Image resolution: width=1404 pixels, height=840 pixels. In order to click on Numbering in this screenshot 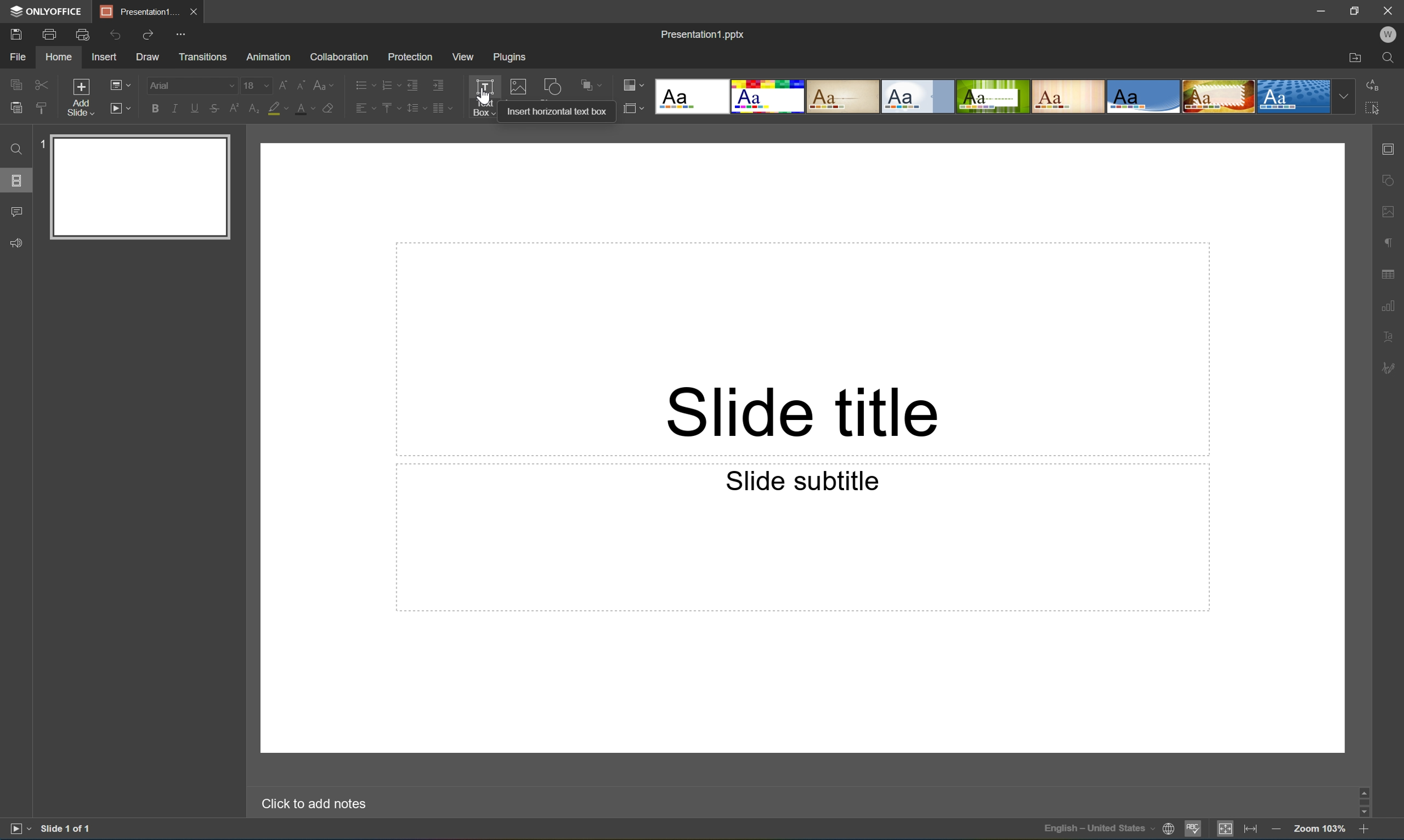, I will do `click(389, 84)`.